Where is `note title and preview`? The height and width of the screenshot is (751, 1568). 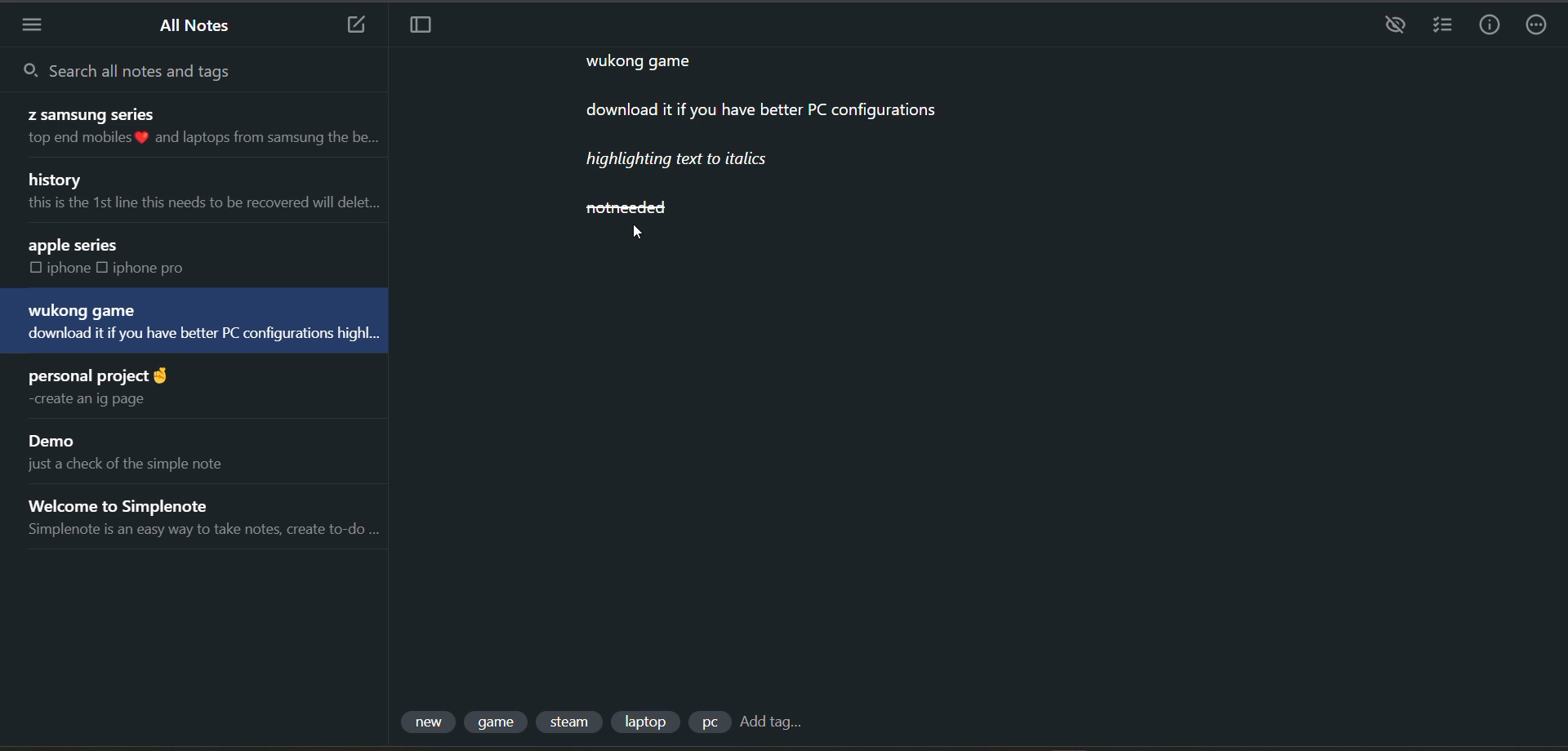
note title and preview is located at coordinates (140, 452).